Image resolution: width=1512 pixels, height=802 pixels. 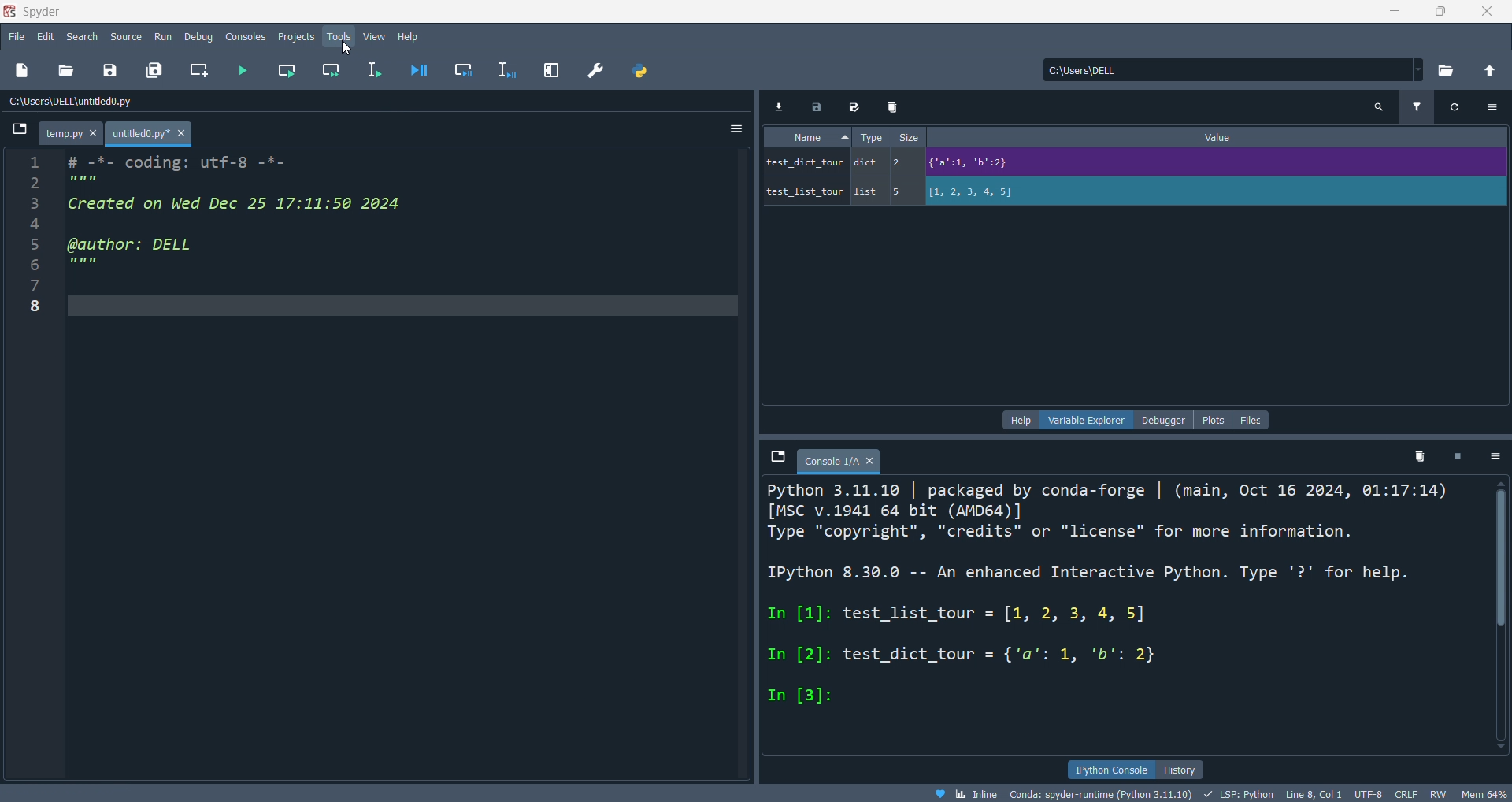 I want to click on exit kernel, so click(x=1459, y=456).